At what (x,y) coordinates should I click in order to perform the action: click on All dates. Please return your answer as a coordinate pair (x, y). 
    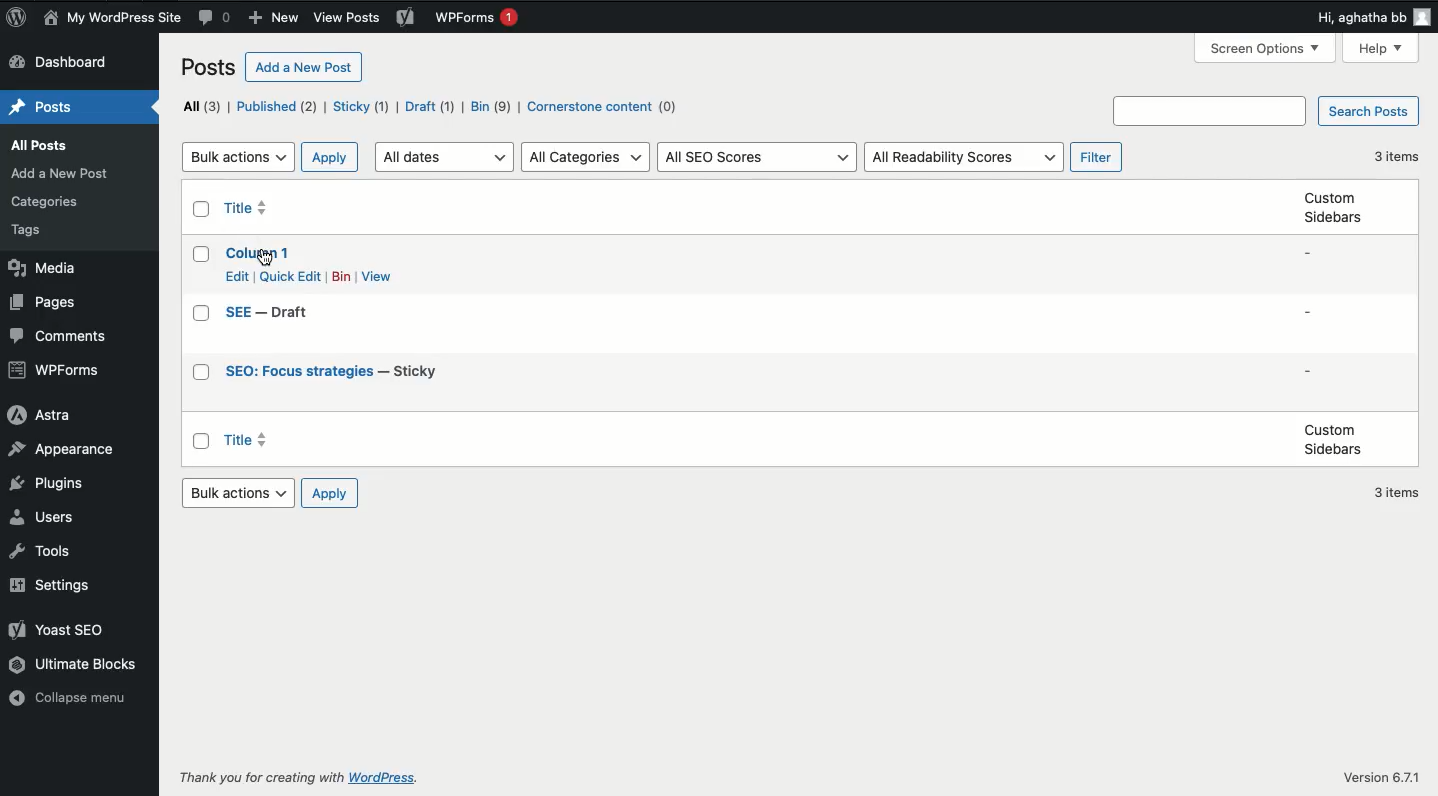
    Looking at the image, I should click on (445, 157).